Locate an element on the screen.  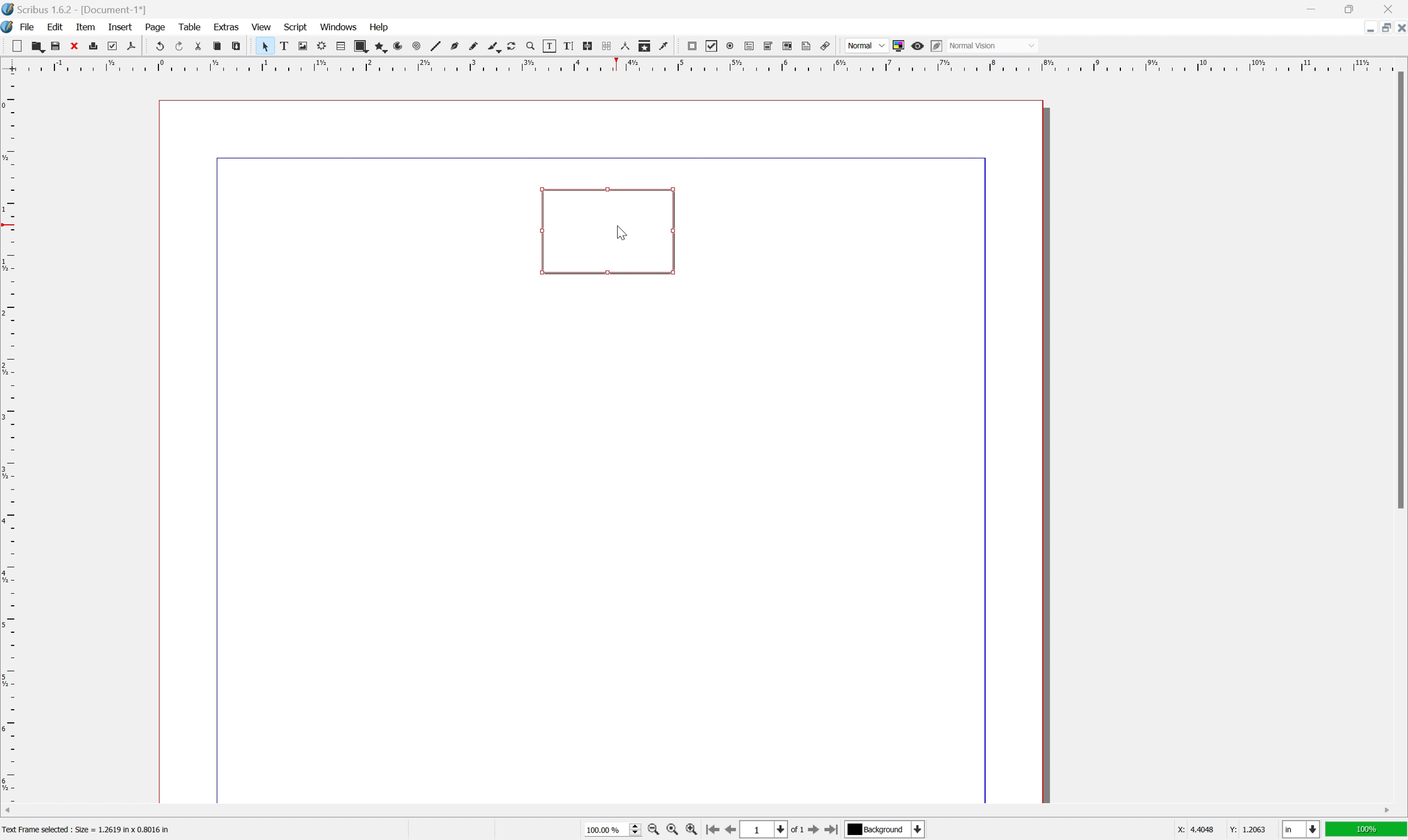
help is located at coordinates (379, 27).